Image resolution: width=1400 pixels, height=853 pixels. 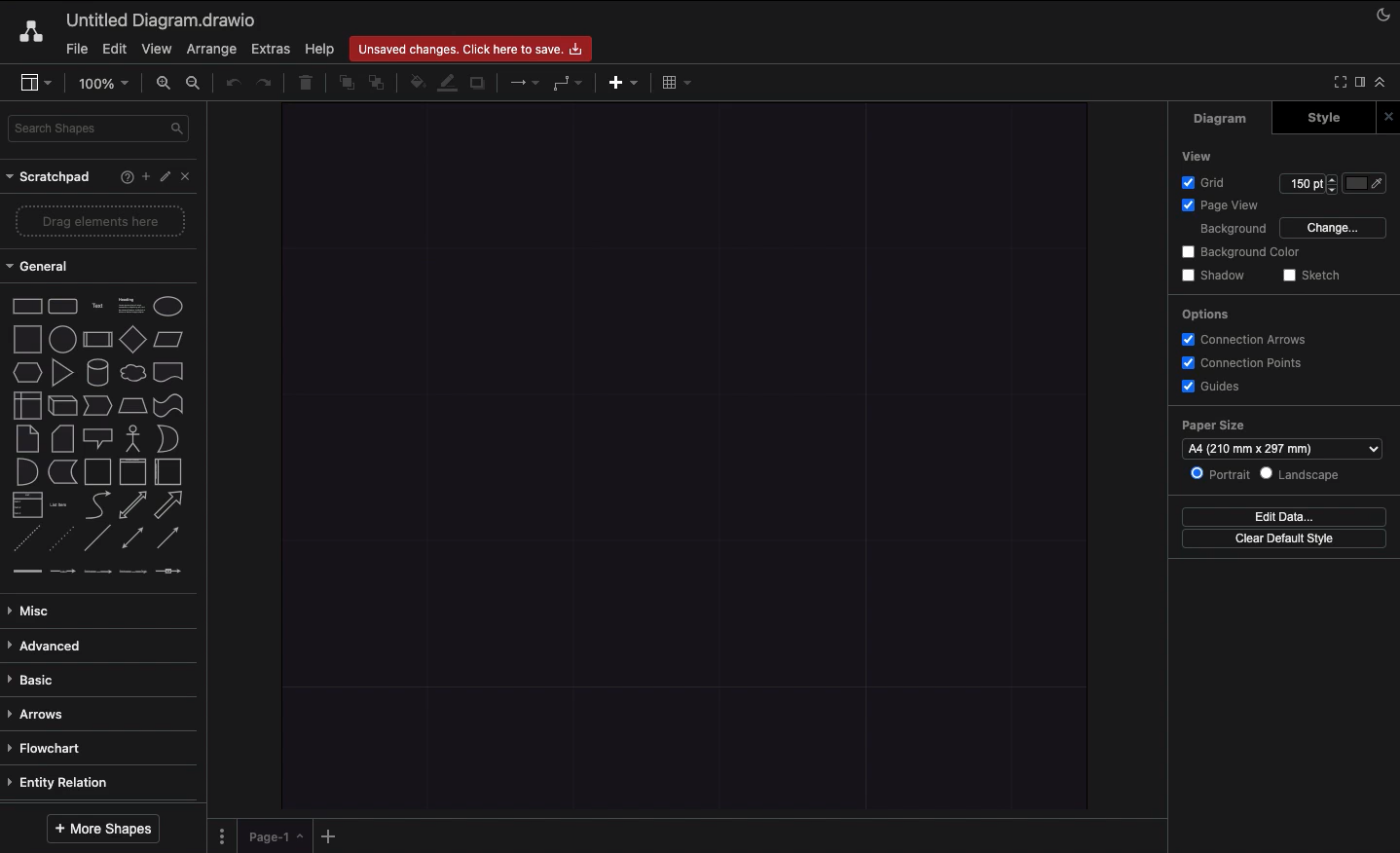 I want to click on Edit, so click(x=114, y=50).